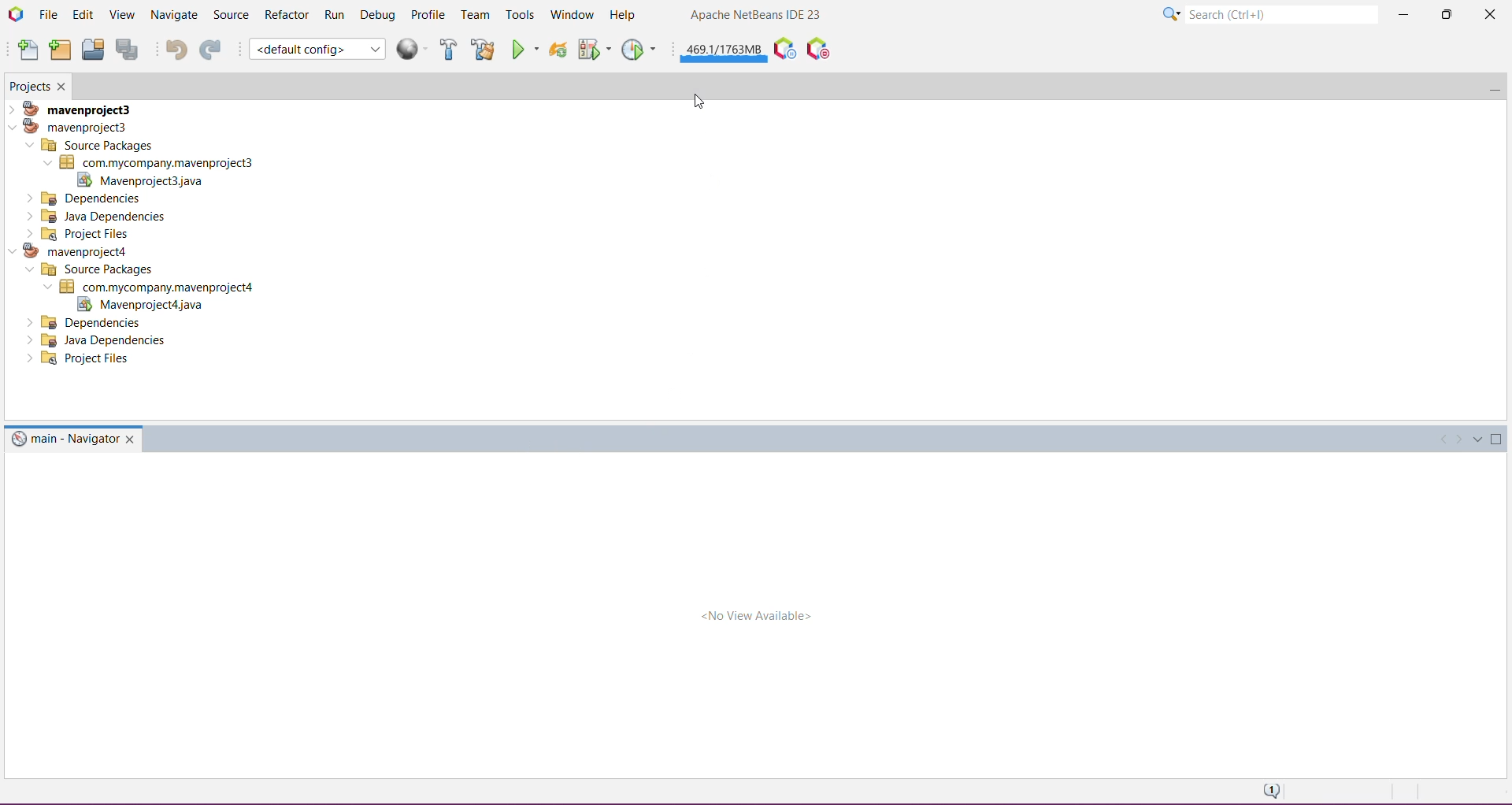  I want to click on Reload, so click(558, 49).